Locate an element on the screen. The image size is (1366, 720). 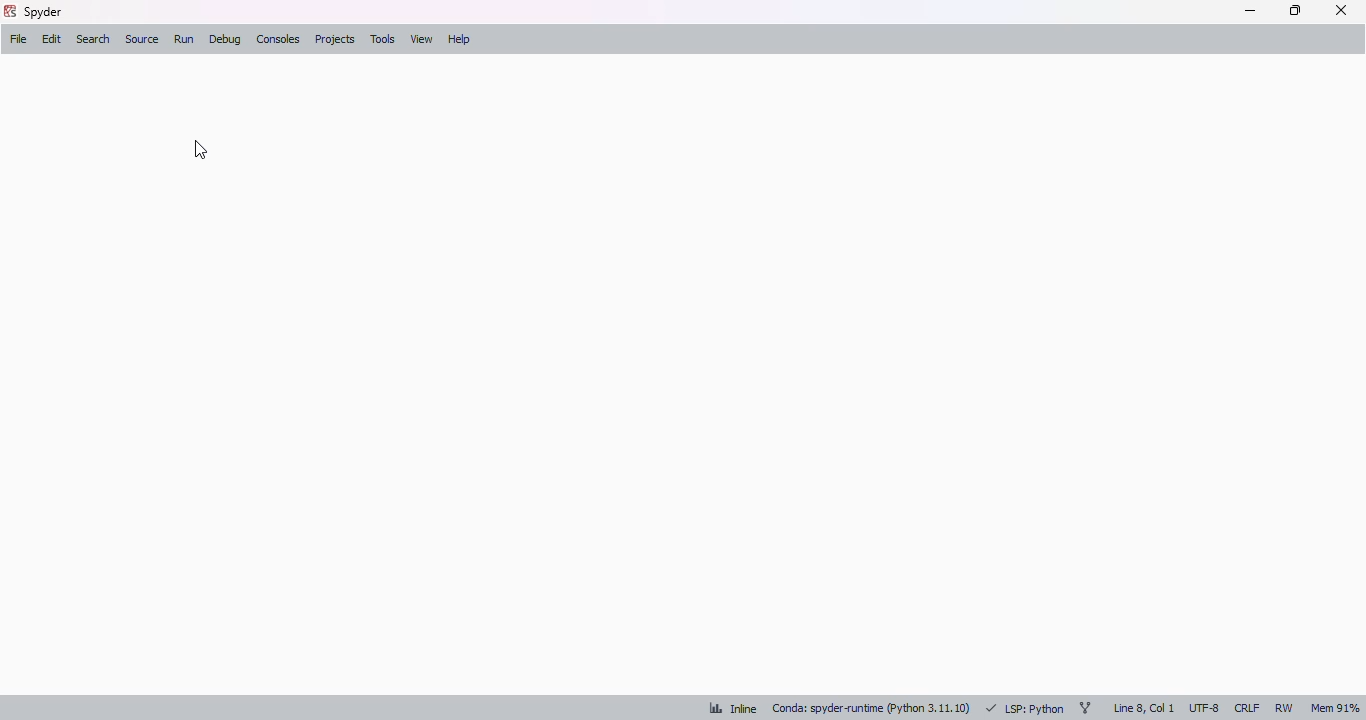
projects is located at coordinates (334, 39).